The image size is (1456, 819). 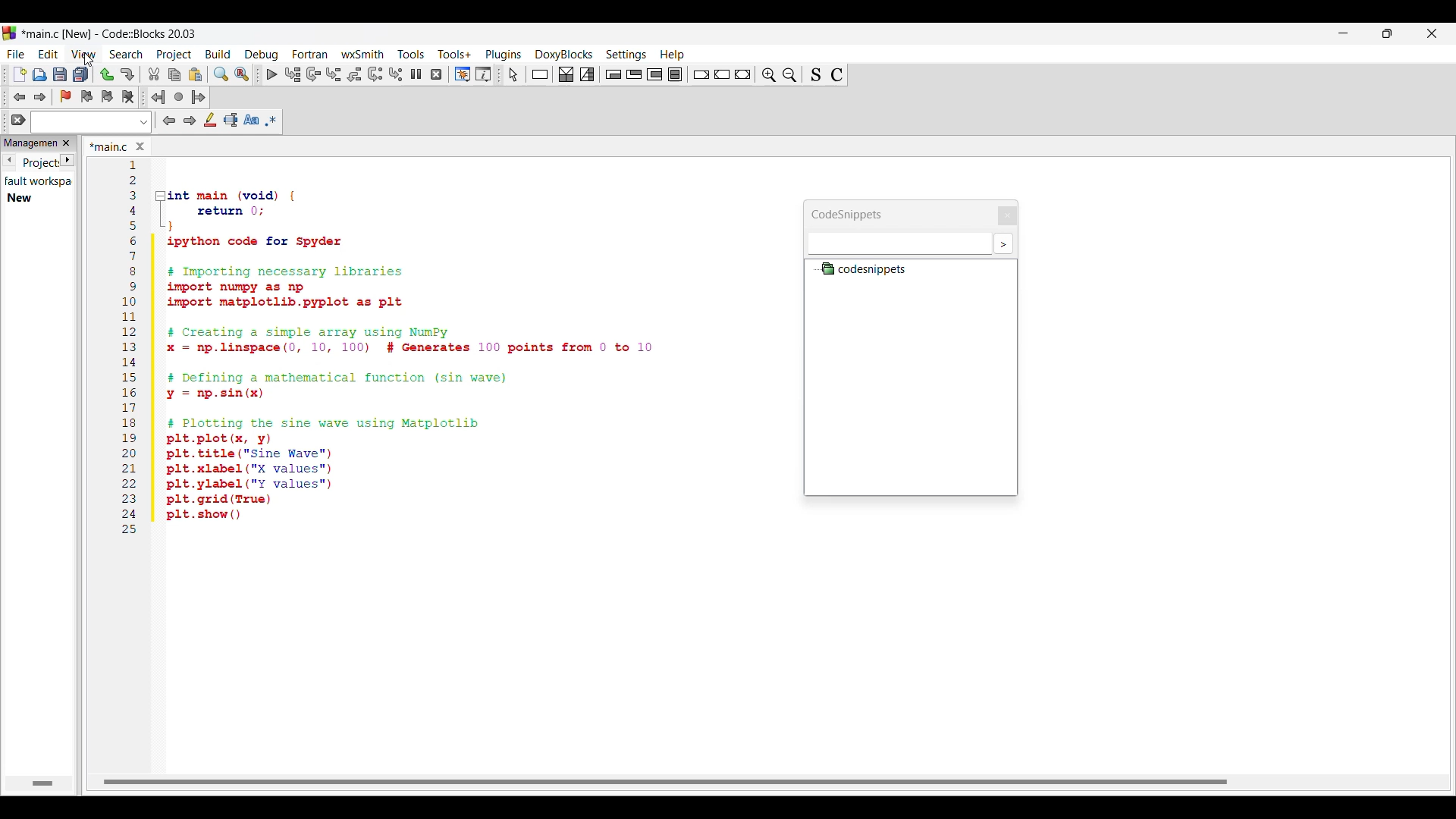 What do you see at coordinates (815, 74) in the screenshot?
I see `Toggle source` at bounding box center [815, 74].